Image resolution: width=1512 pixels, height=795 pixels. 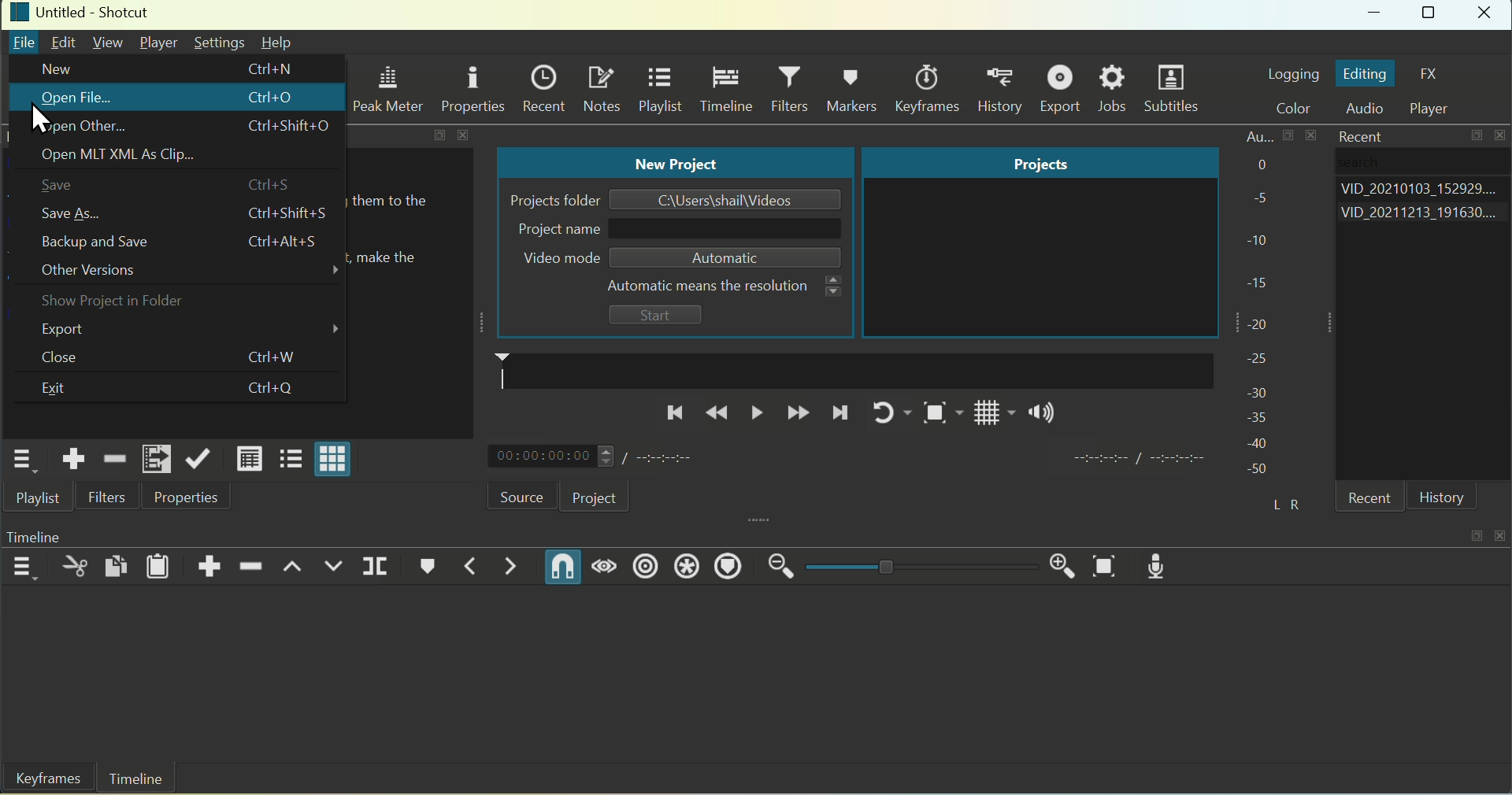 What do you see at coordinates (1431, 15) in the screenshot?
I see `Maximize` at bounding box center [1431, 15].